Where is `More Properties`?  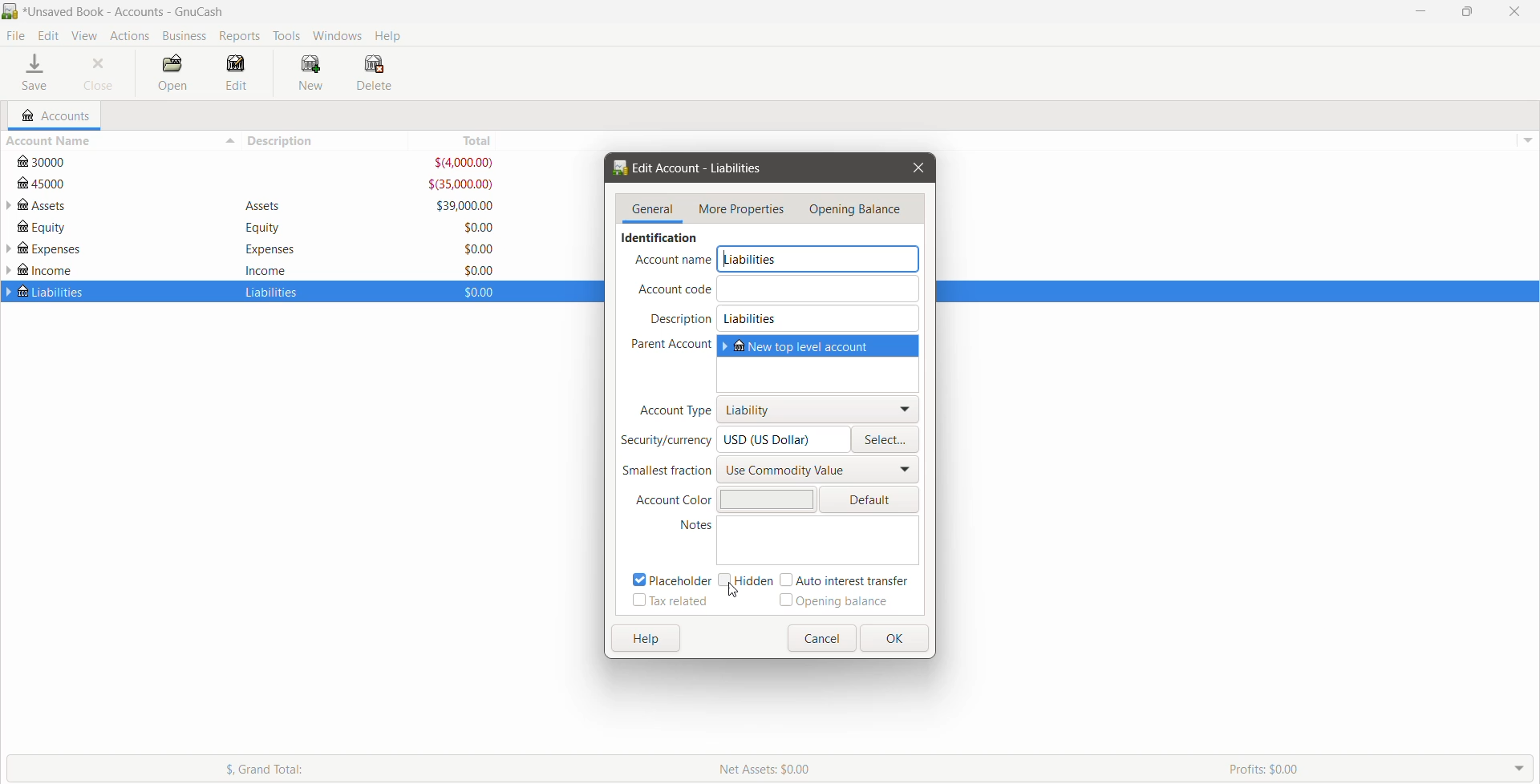 More Properties is located at coordinates (742, 210).